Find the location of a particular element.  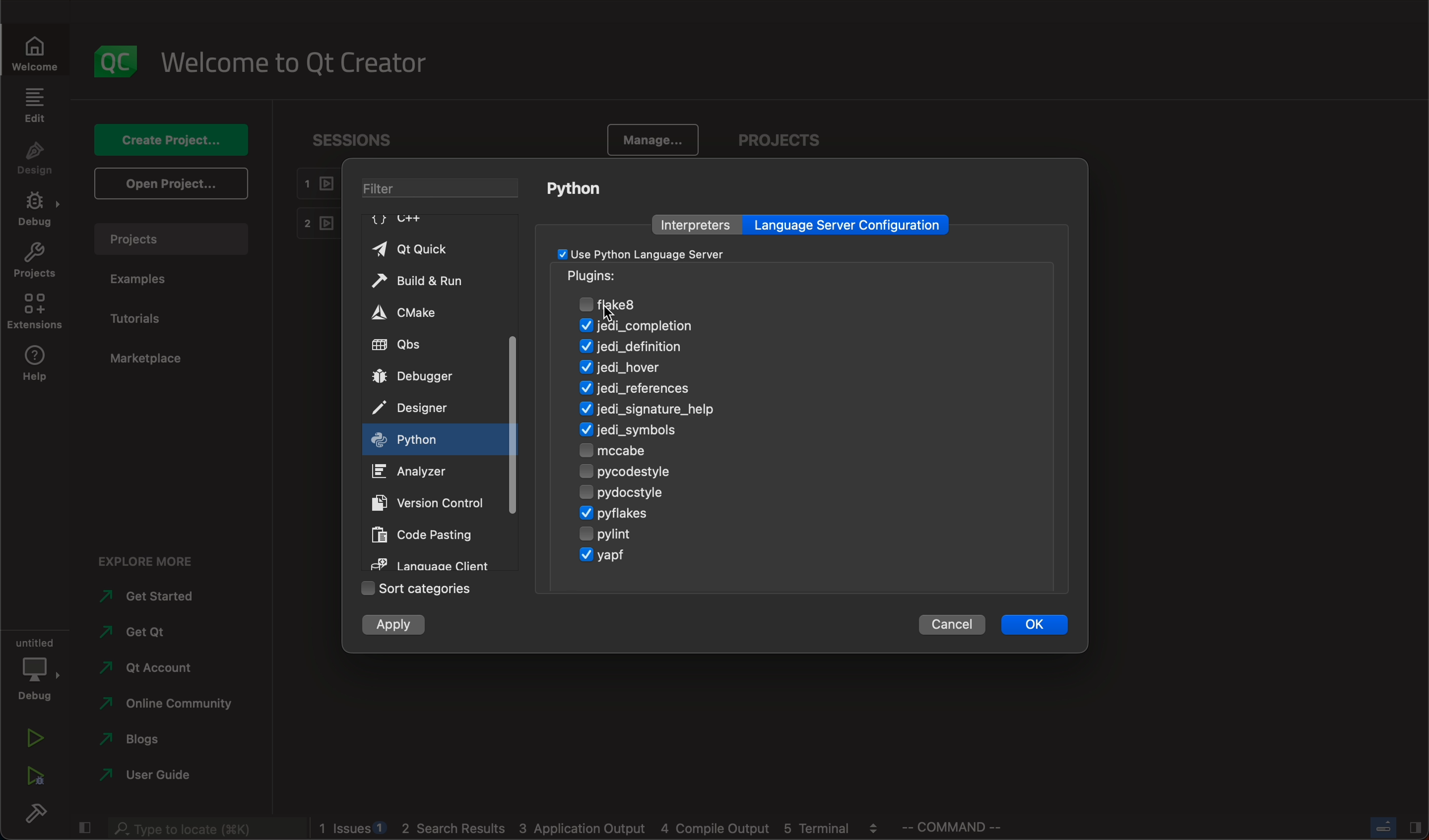

code  is located at coordinates (428, 532).